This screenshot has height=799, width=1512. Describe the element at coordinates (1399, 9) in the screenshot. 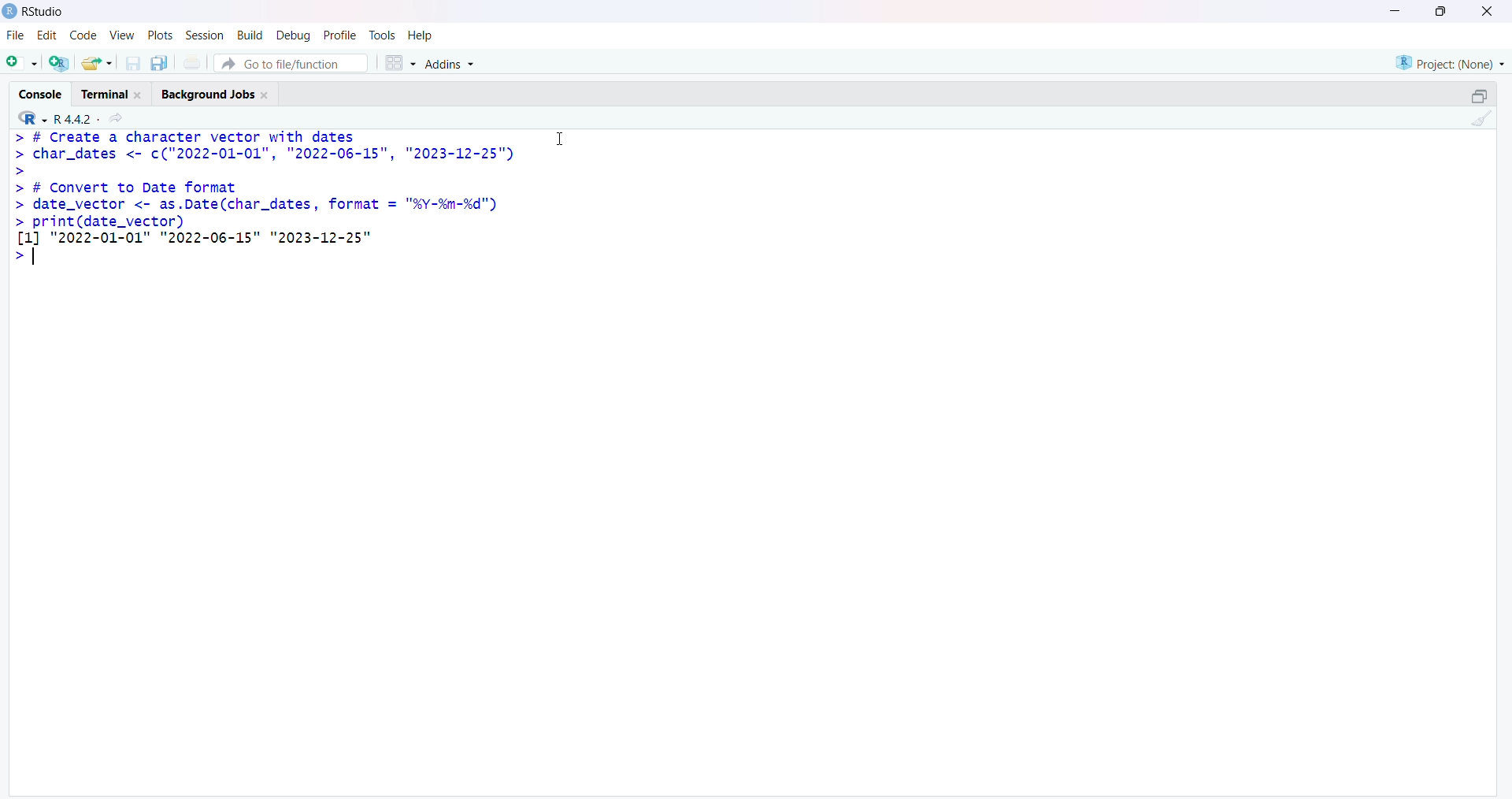

I see `Minimize` at that location.